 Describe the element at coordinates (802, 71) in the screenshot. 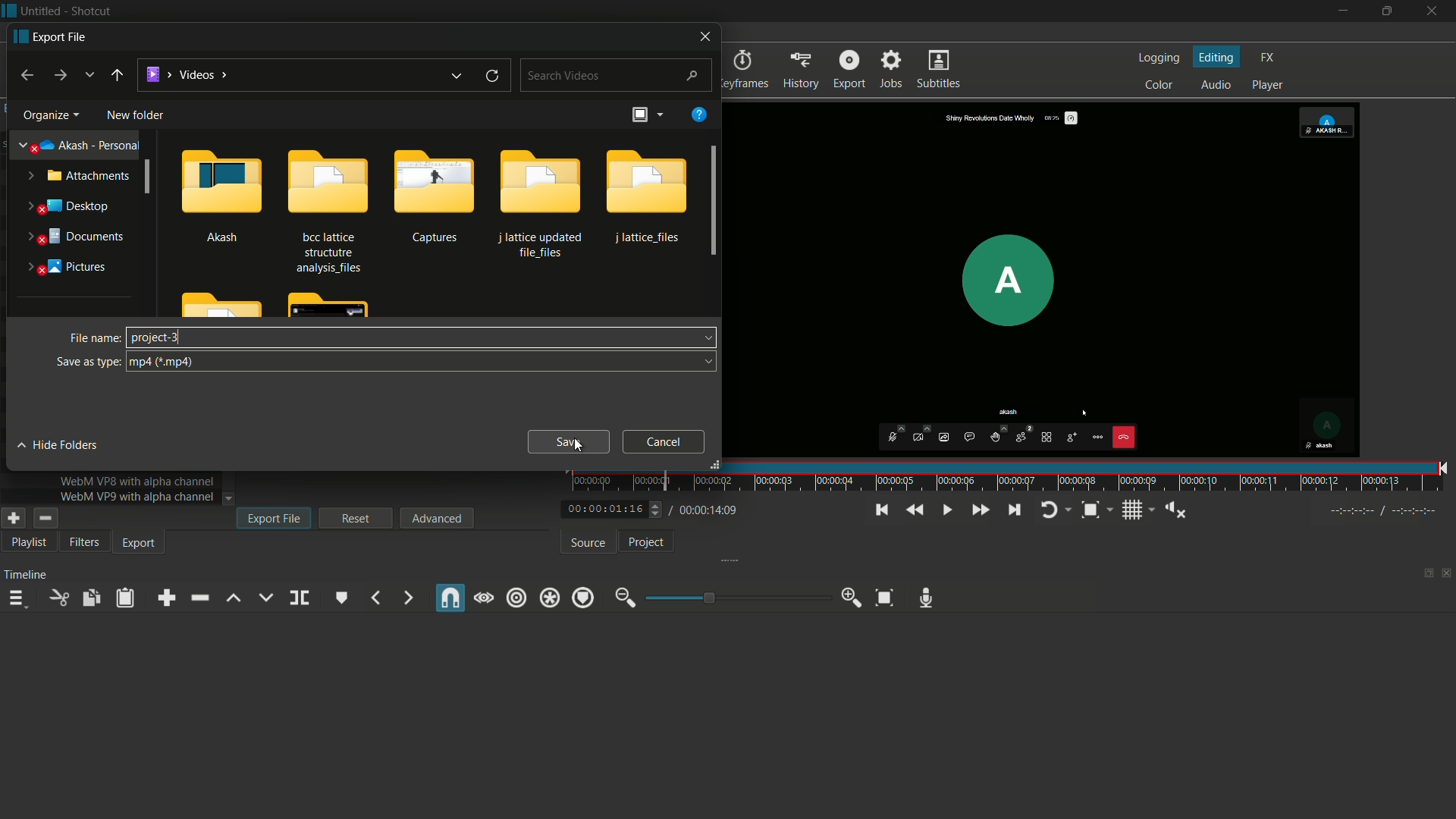

I see `export` at that location.